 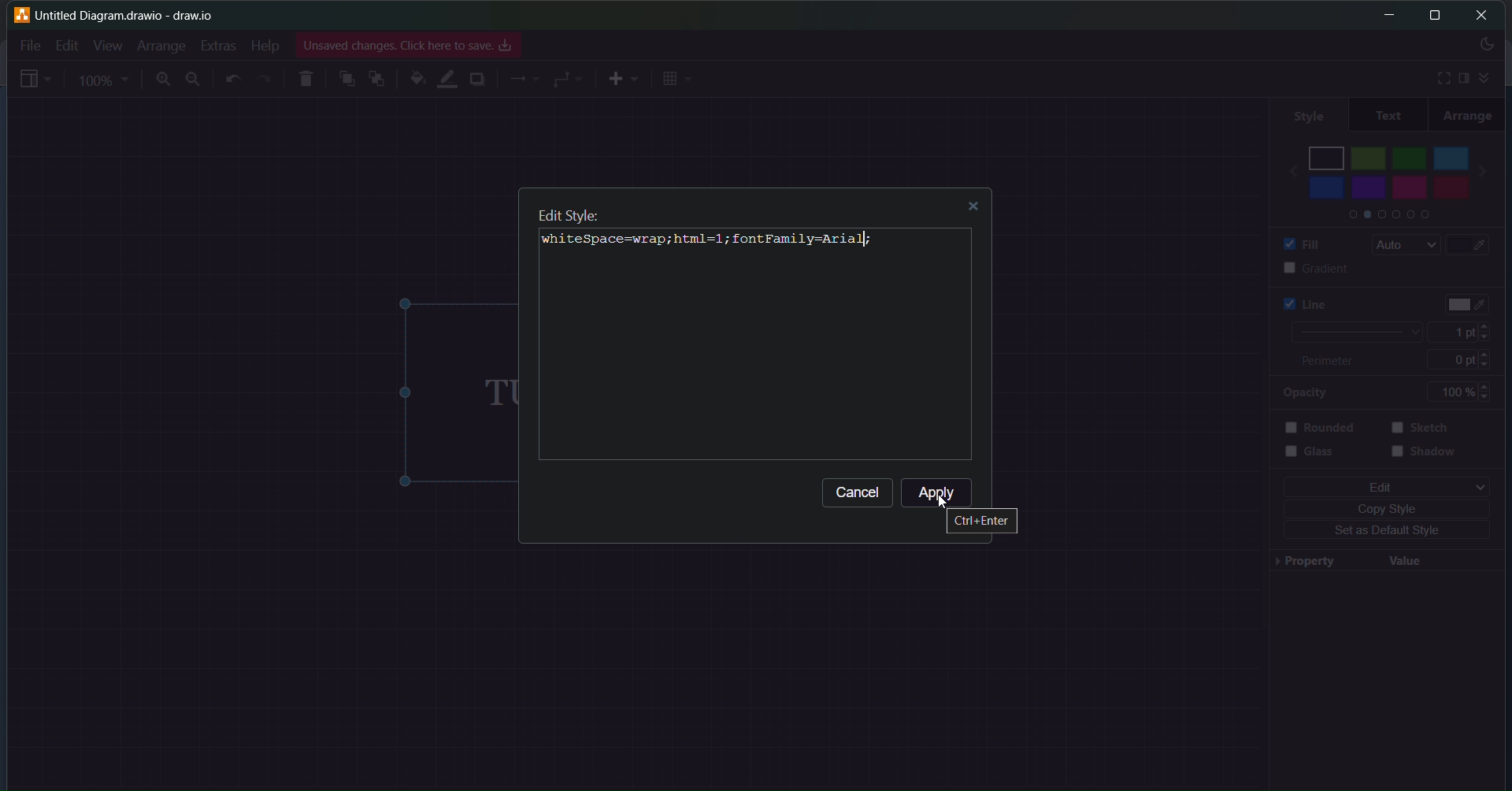 I want to click on whi teSpace=wrap;html=1; fontFamily=Arial;, so click(x=714, y=243).